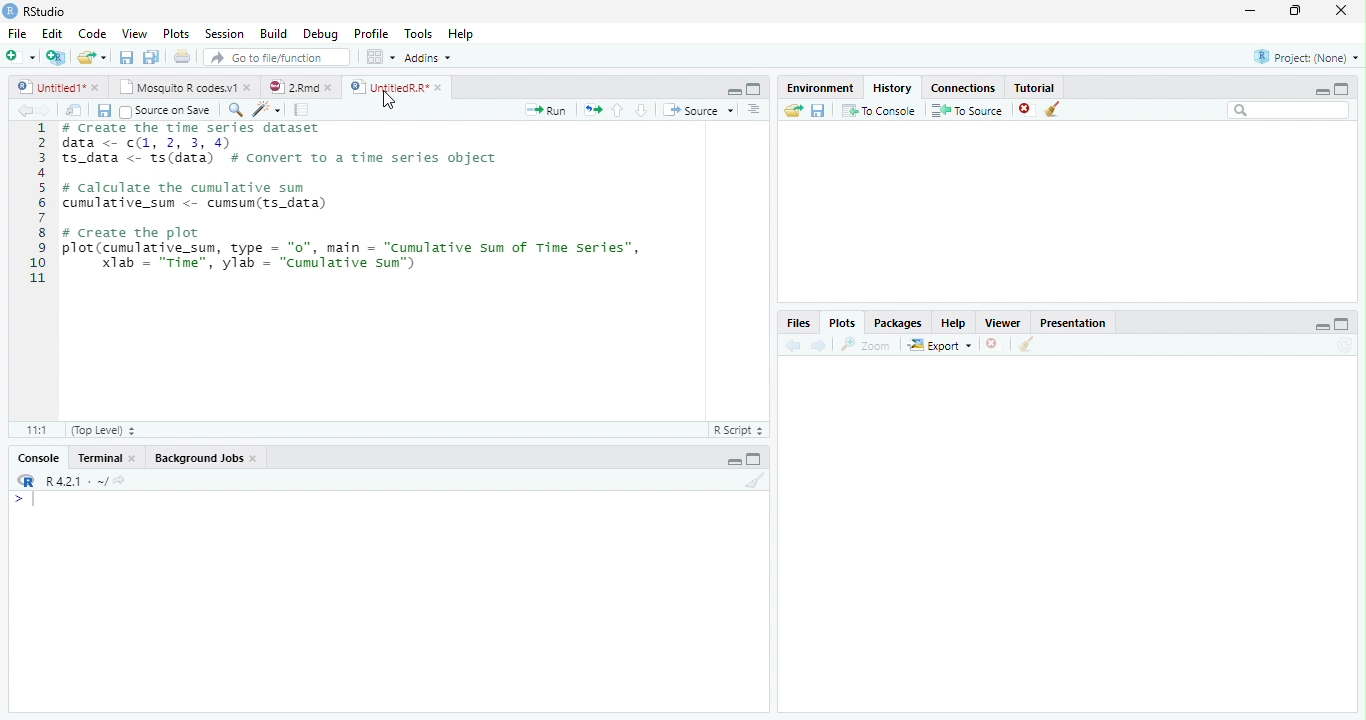 The width and height of the screenshot is (1366, 720). Describe the element at coordinates (896, 323) in the screenshot. I see `Packages` at that location.